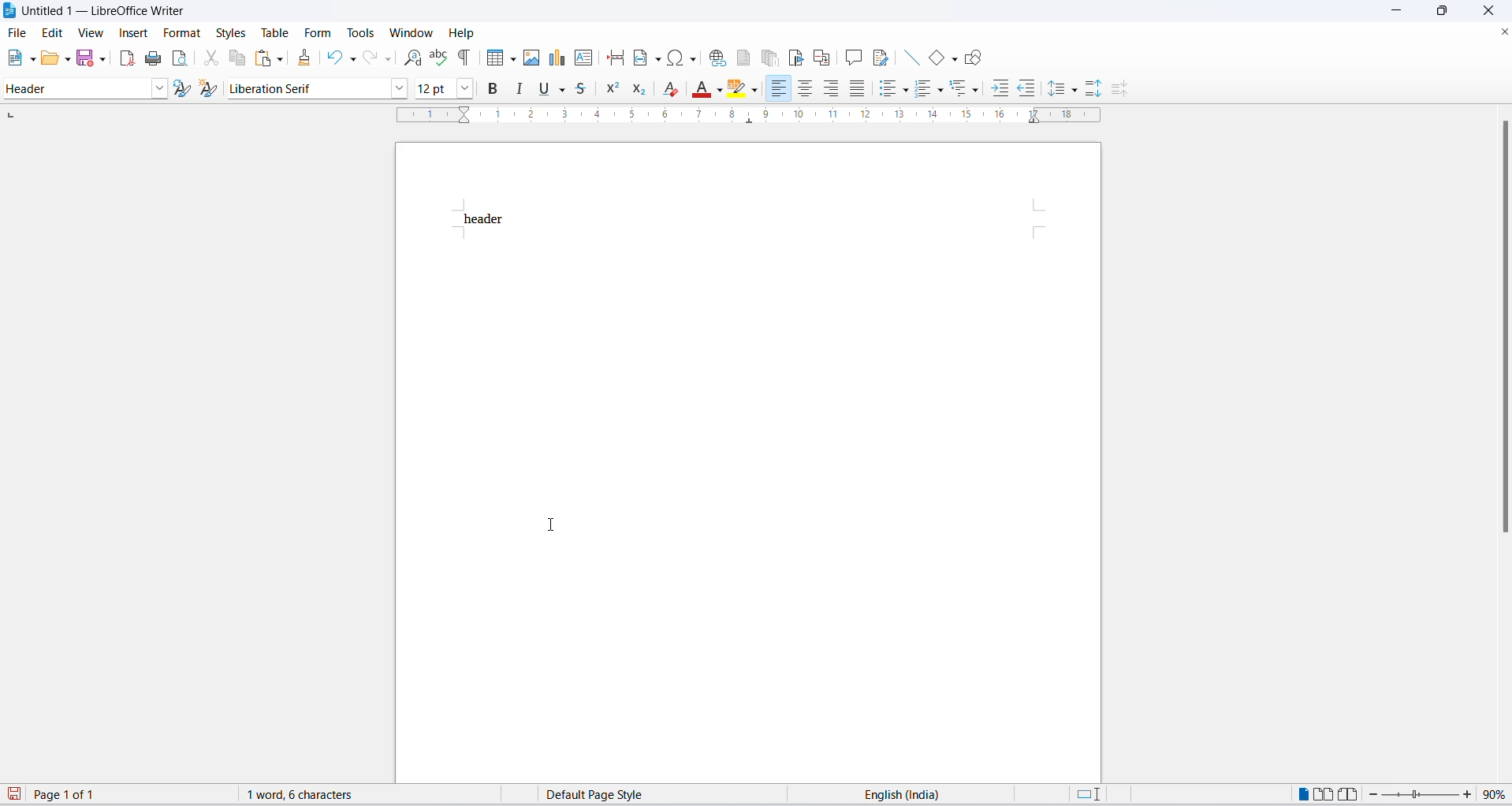 This screenshot has height=806, width=1512. I want to click on toggle ordered list options, so click(943, 92).